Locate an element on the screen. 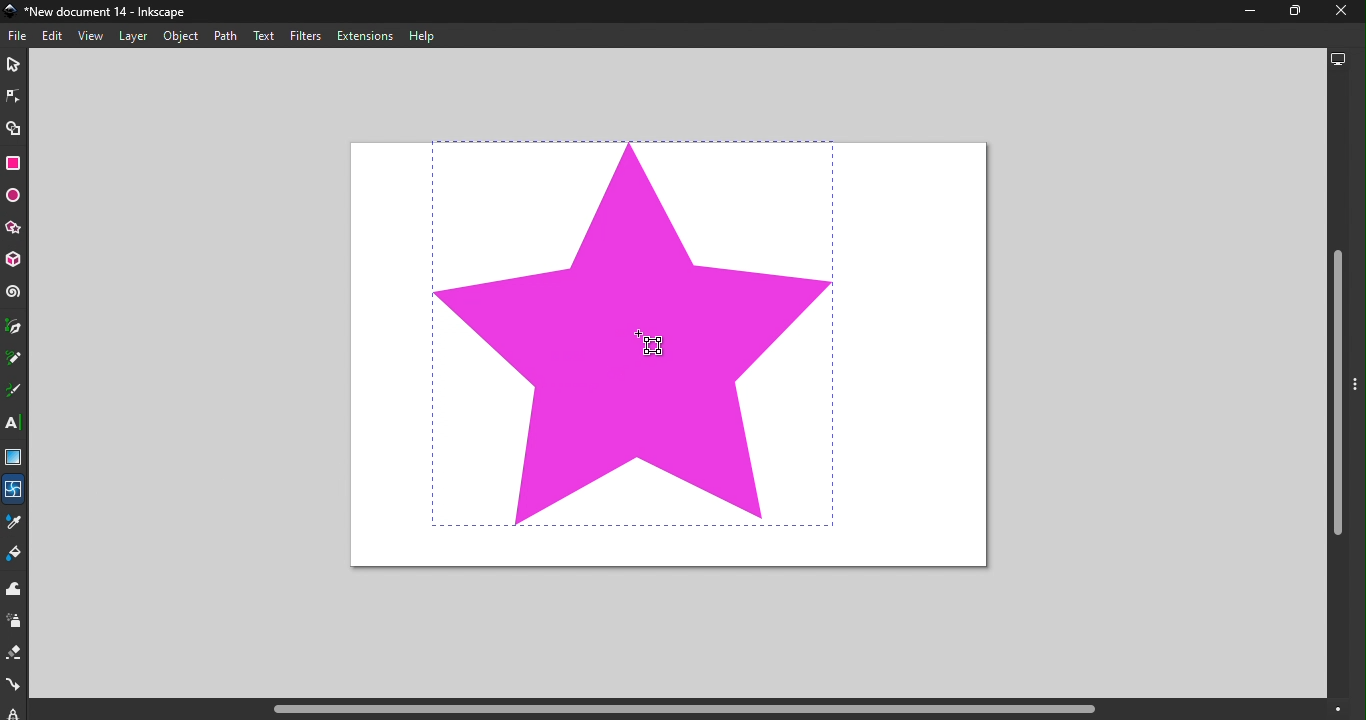 Image resolution: width=1366 pixels, height=720 pixels. Help is located at coordinates (428, 34).